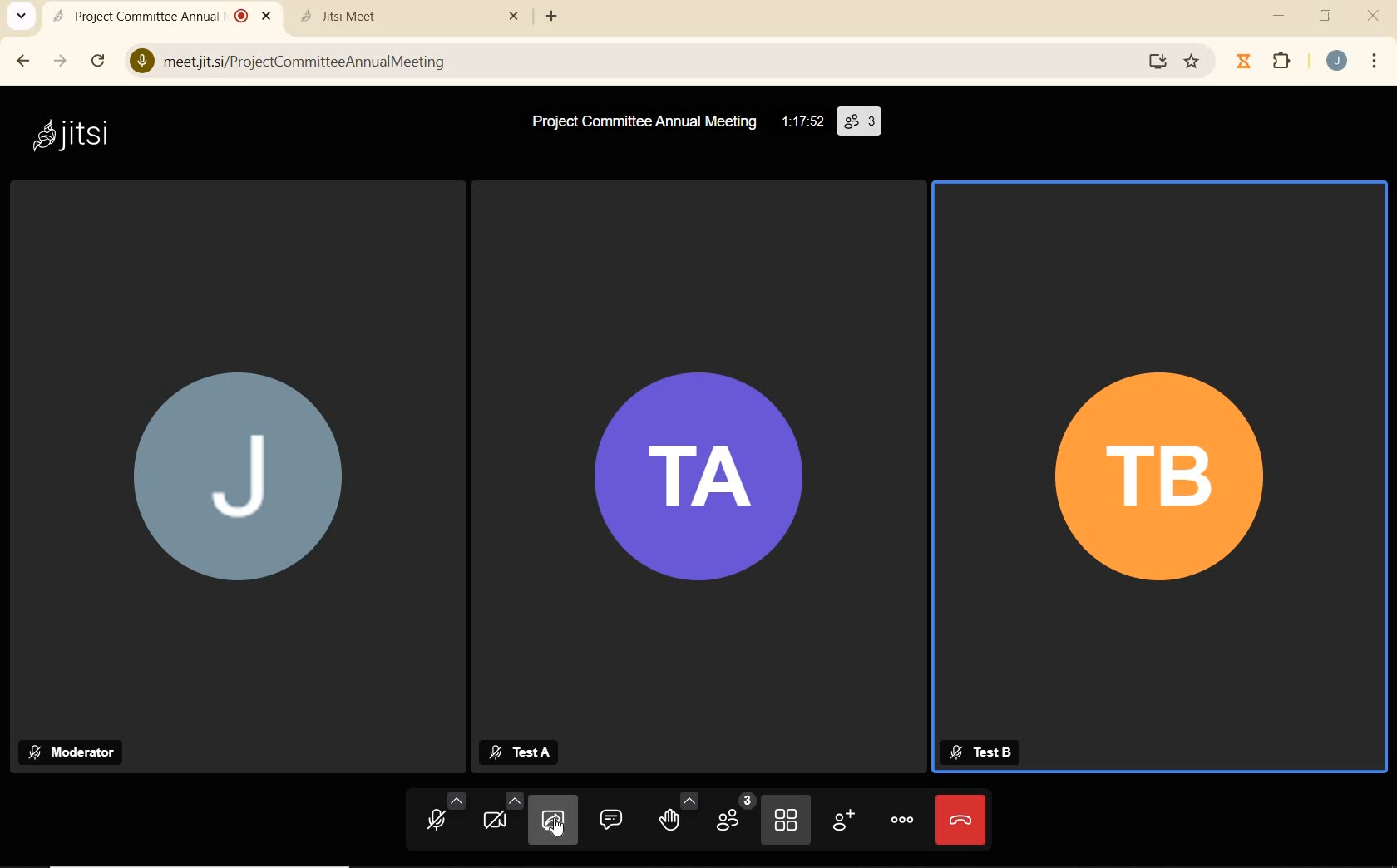  Describe the element at coordinates (1161, 478) in the screenshot. I see `TB` at that location.